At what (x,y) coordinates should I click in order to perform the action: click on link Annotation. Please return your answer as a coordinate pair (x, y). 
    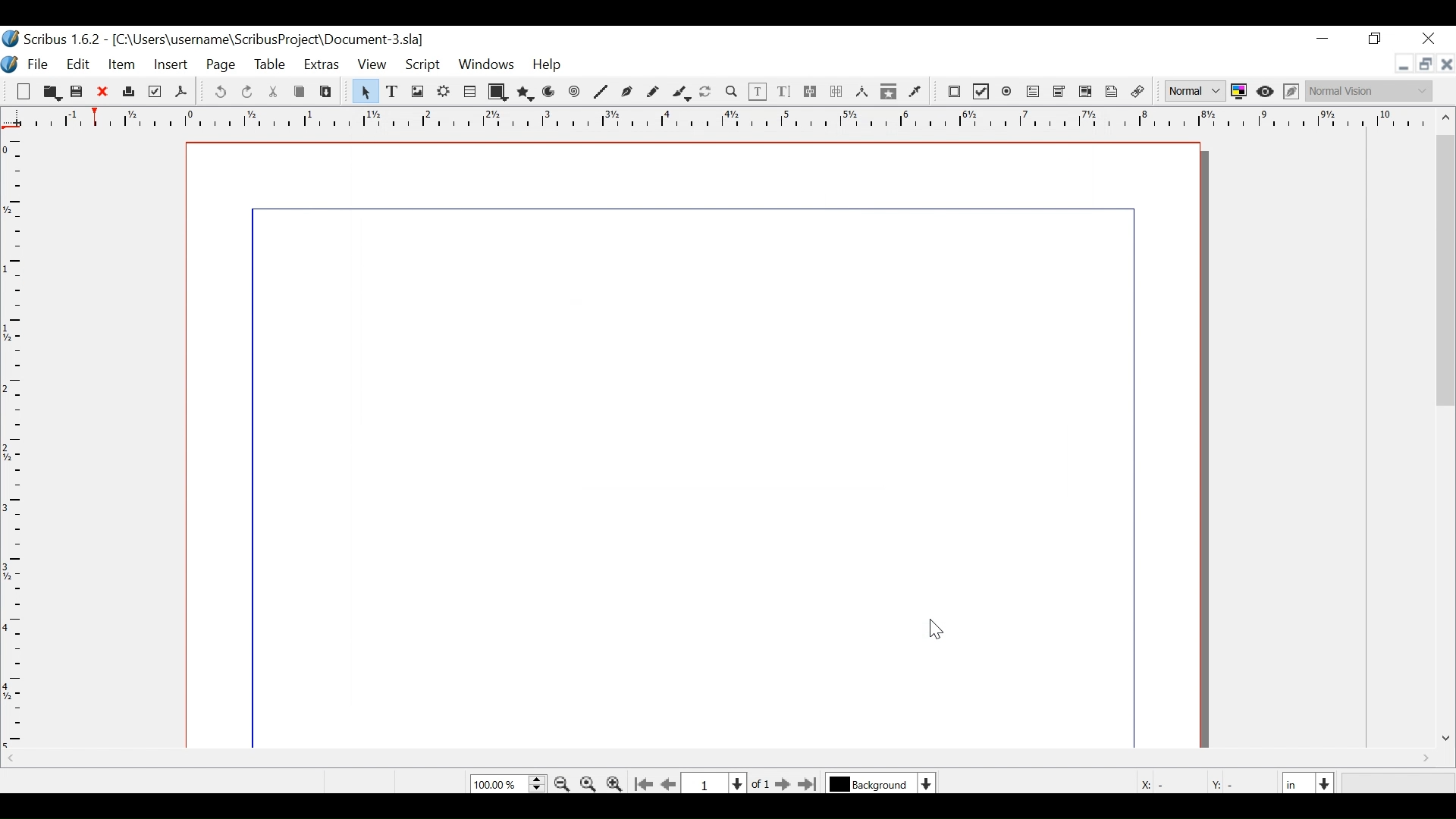
    Looking at the image, I should click on (1112, 93).